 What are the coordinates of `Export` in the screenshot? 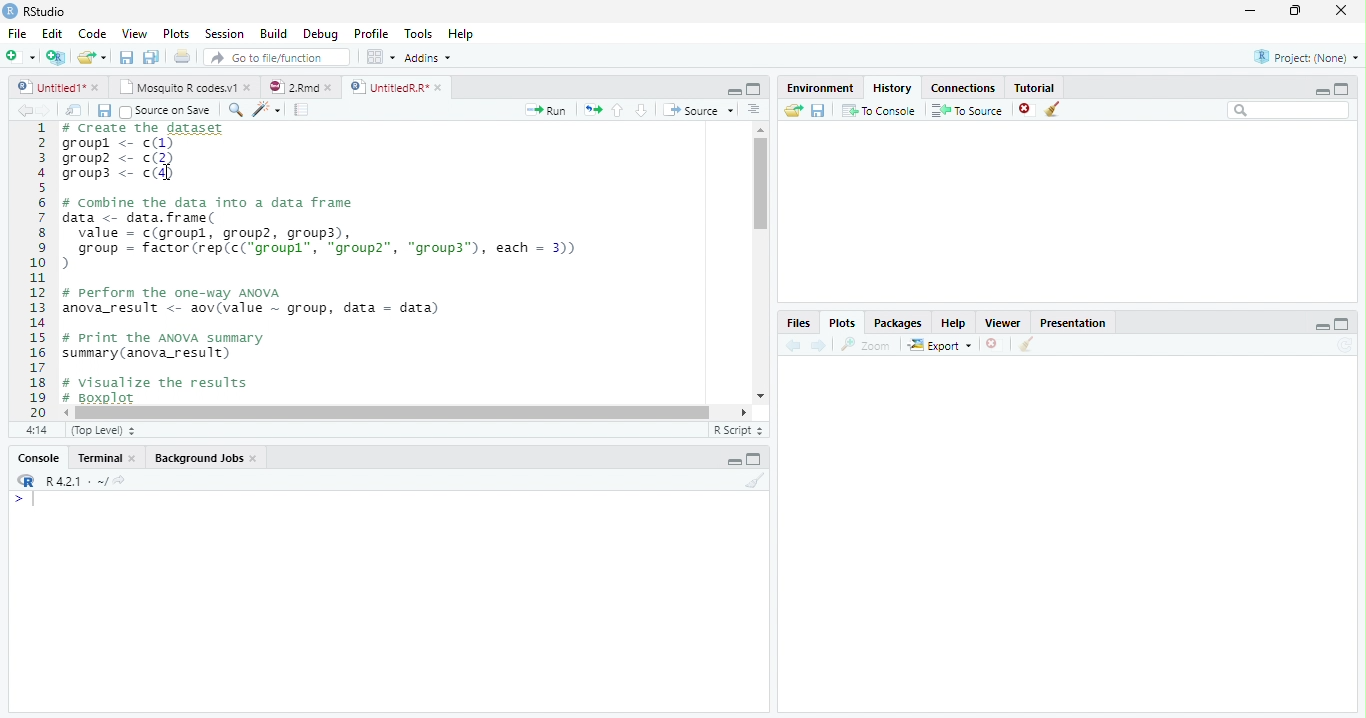 It's located at (941, 345).